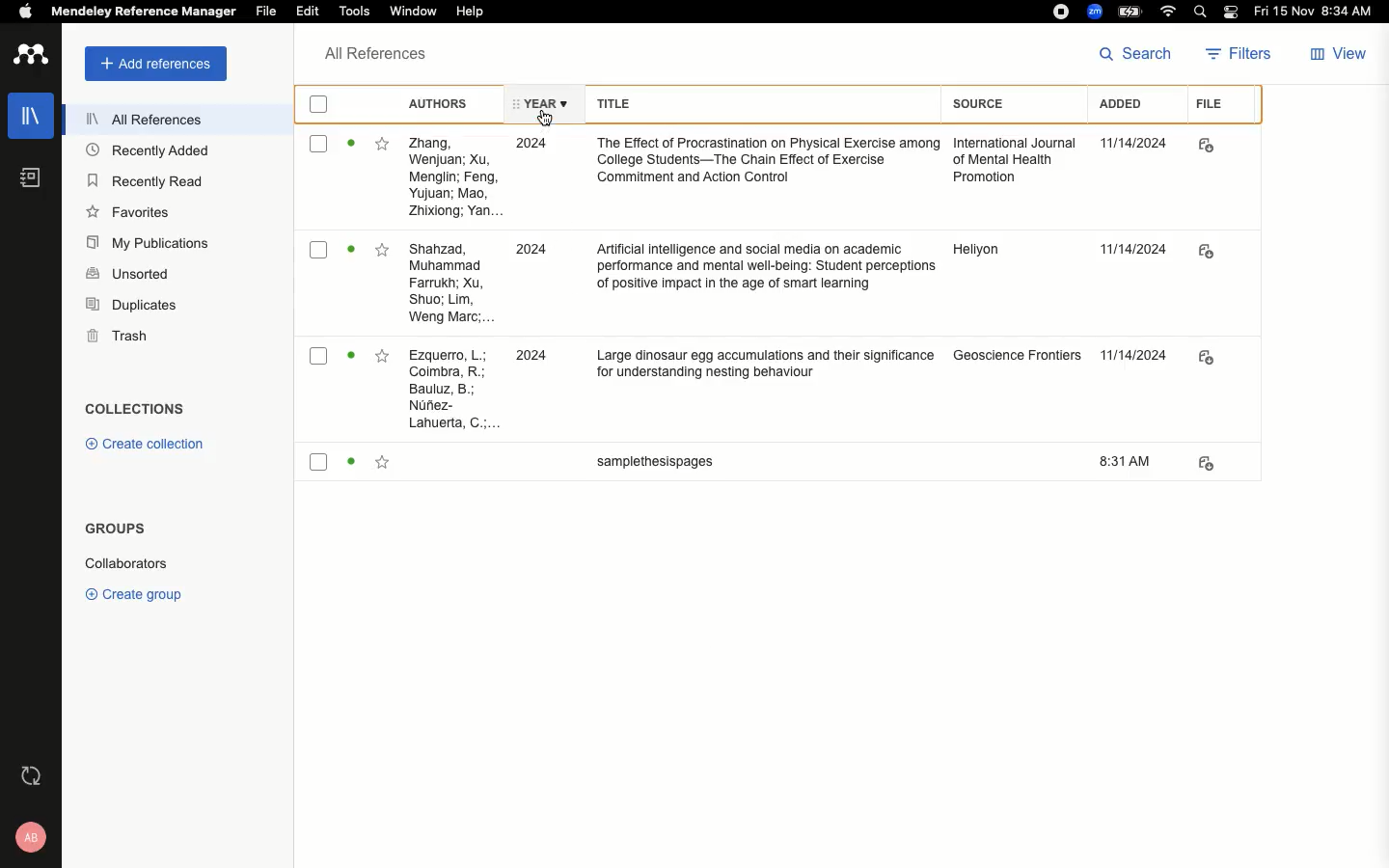  I want to click on Unsorted, so click(130, 275).